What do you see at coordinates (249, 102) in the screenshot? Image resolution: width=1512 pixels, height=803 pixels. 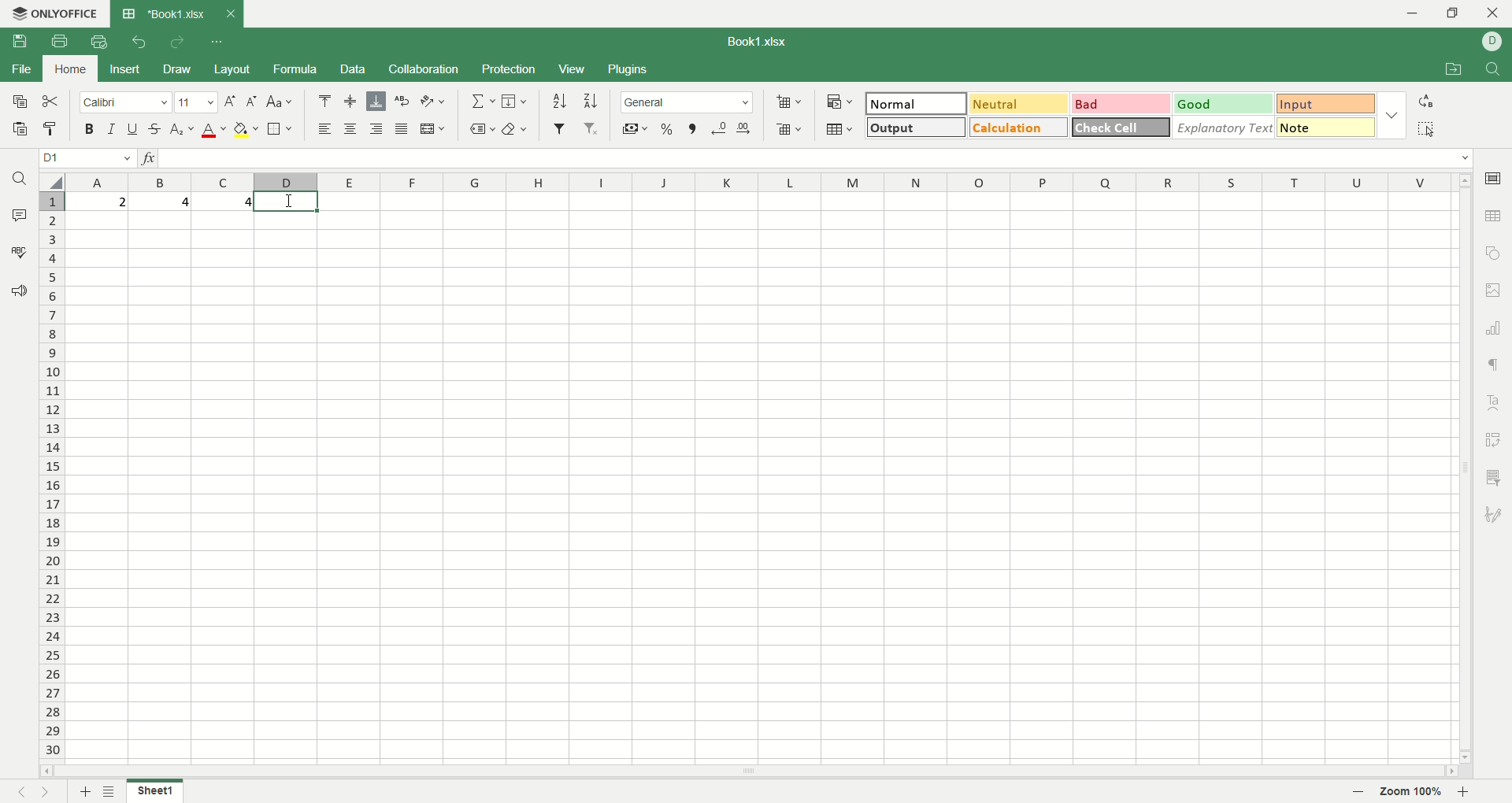 I see `decrease font` at bounding box center [249, 102].